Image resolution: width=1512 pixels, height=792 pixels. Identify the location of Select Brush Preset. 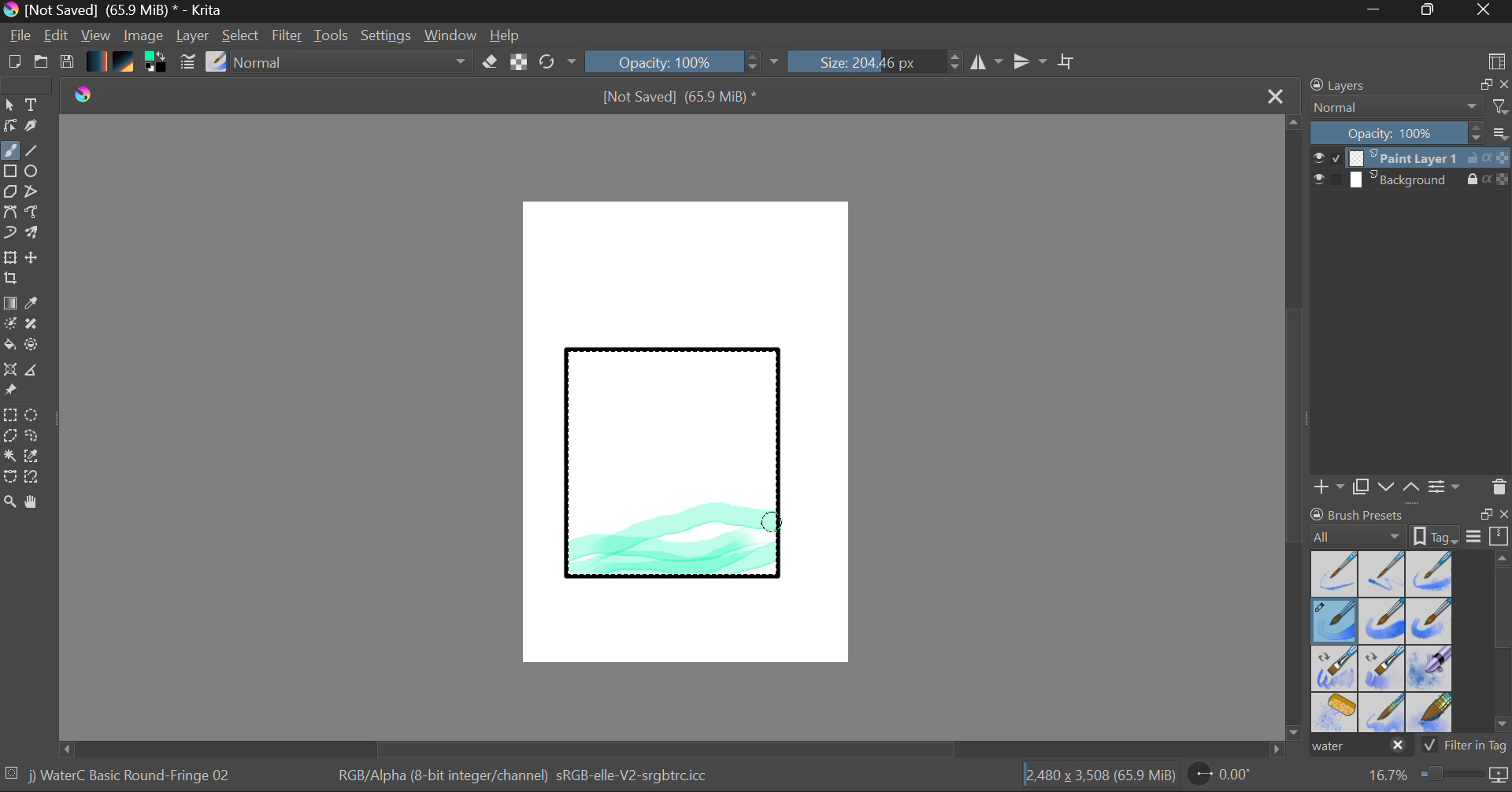
(217, 62).